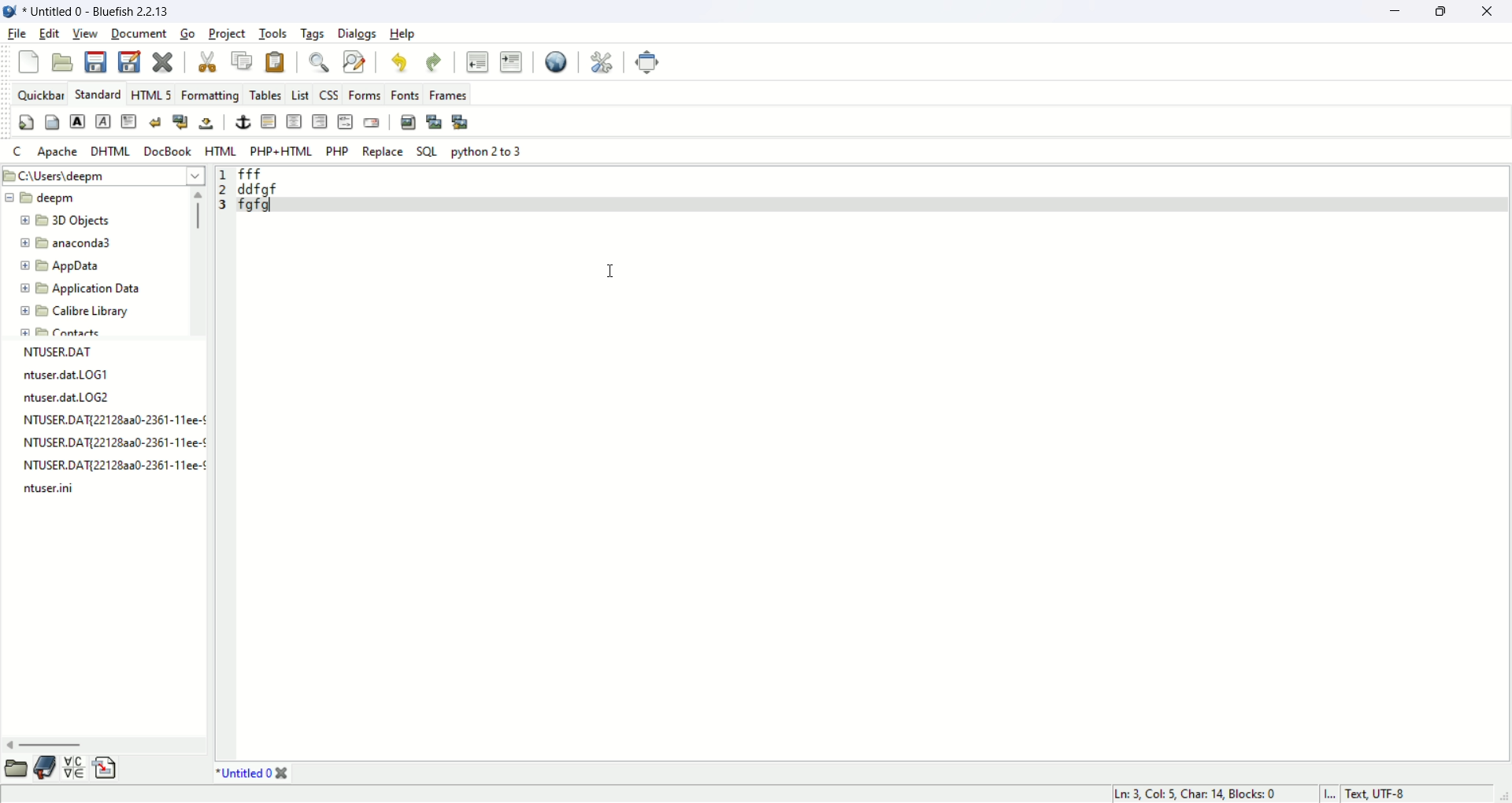 This screenshot has height=803, width=1512. What do you see at coordinates (66, 244) in the screenshot?
I see `anaconda3` at bounding box center [66, 244].